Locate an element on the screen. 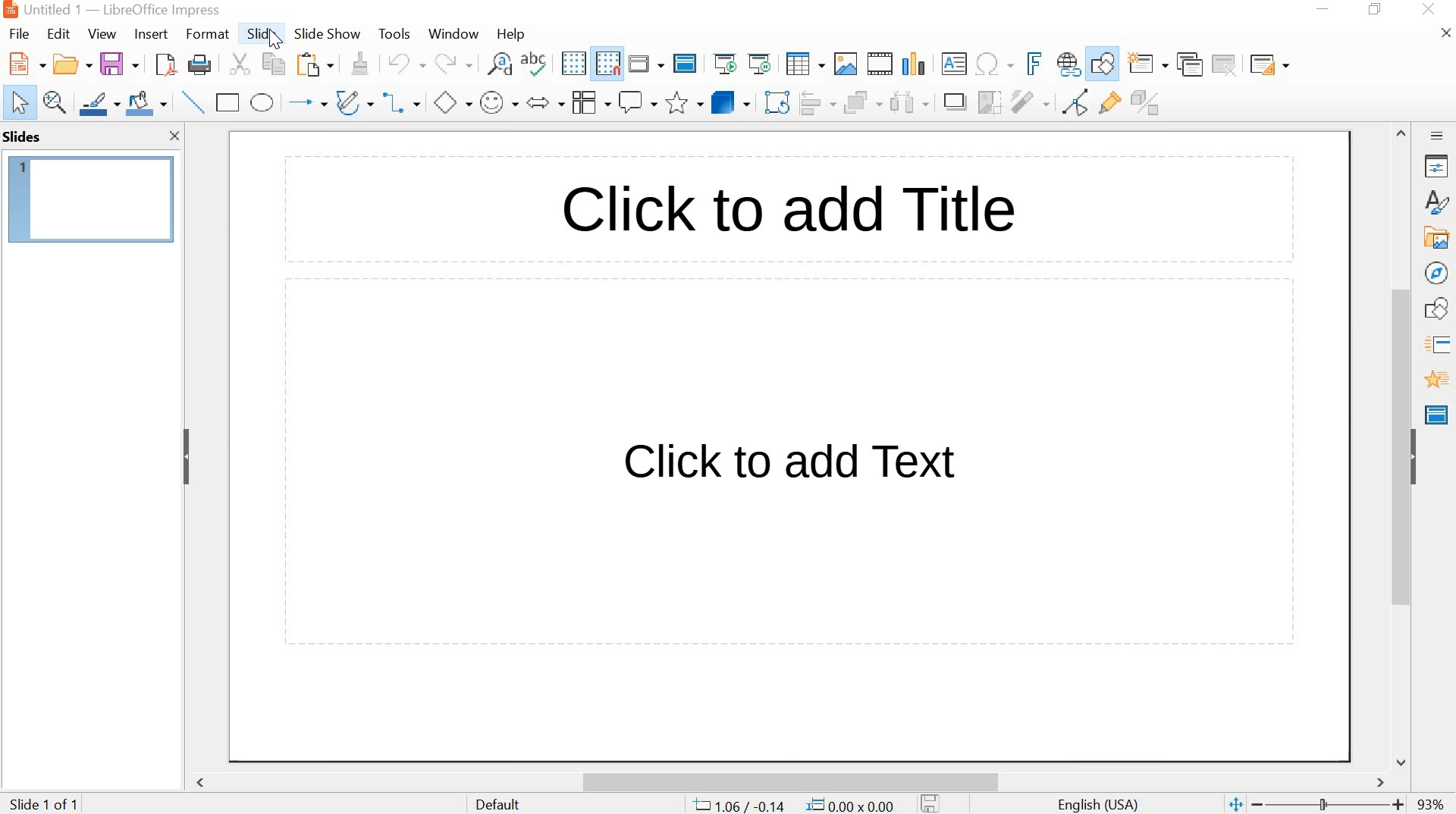 The height and width of the screenshot is (814, 1456). TEXT LANGUAGE is located at coordinates (1100, 803).